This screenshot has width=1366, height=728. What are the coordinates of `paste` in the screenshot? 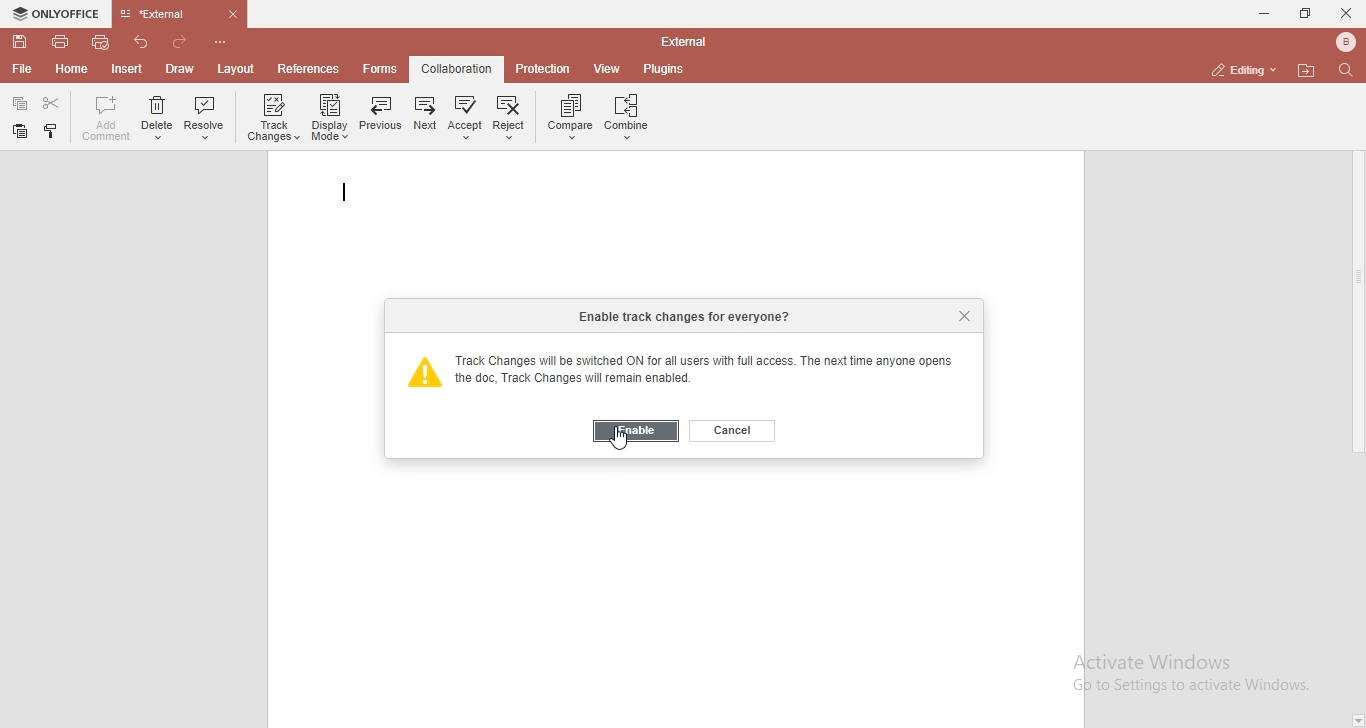 It's located at (49, 130).